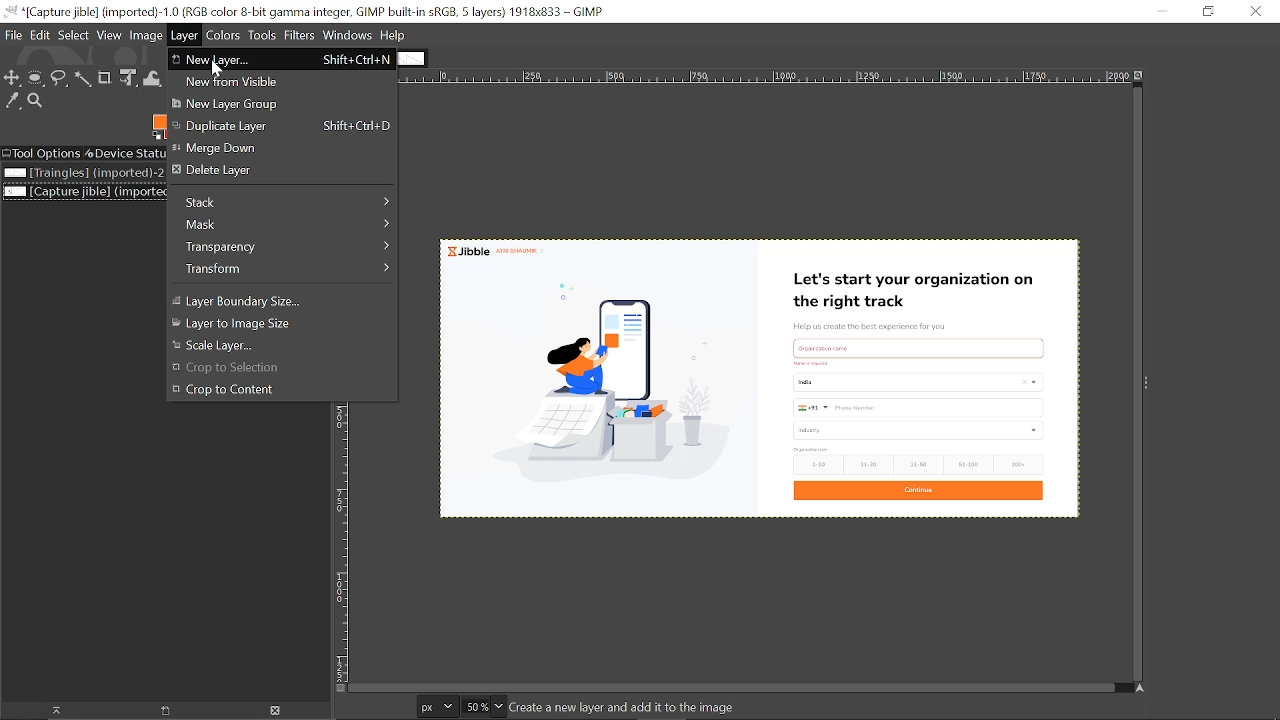  I want to click on Select, so click(73, 36).